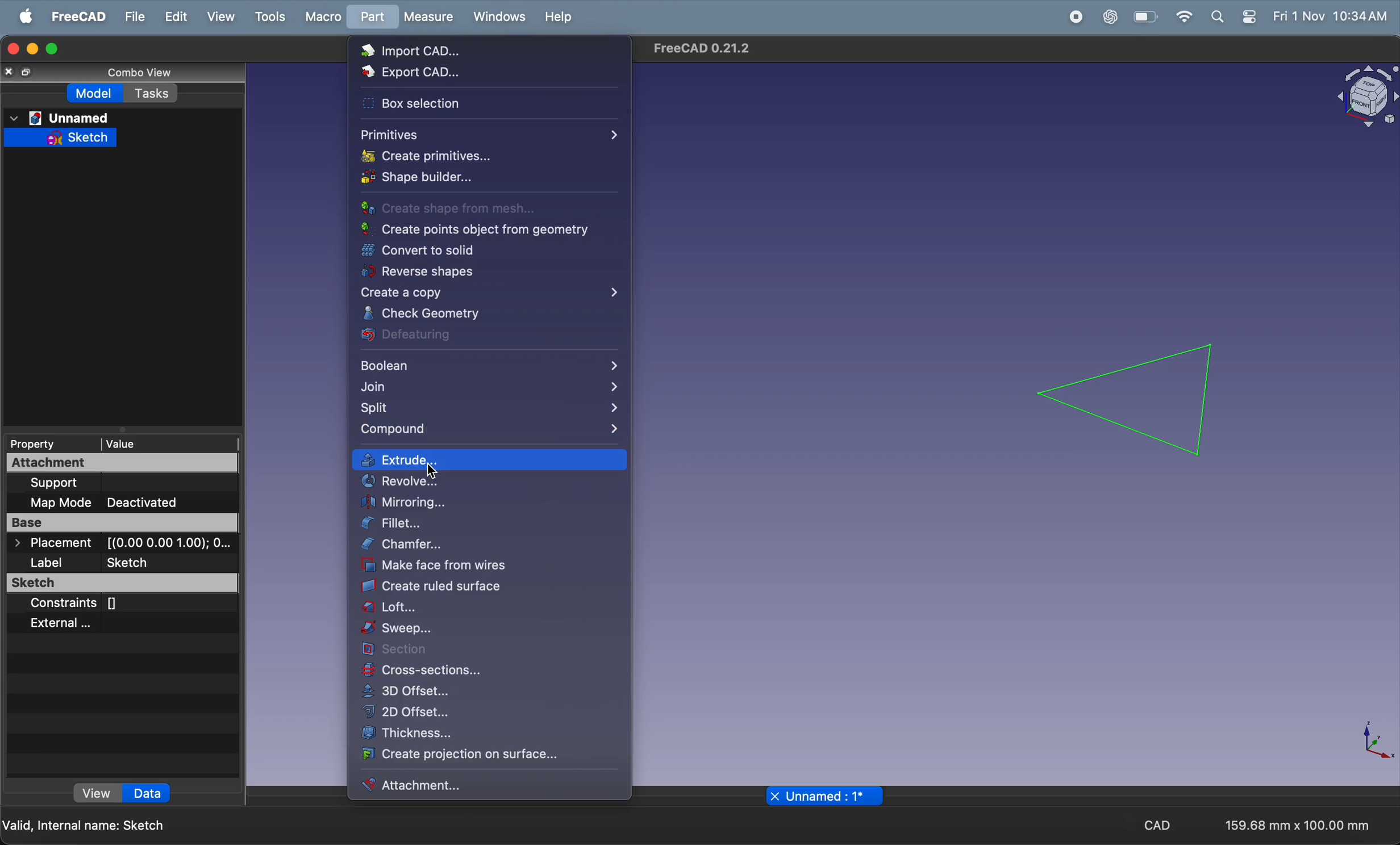  What do you see at coordinates (95, 463) in the screenshot?
I see `attachment` at bounding box center [95, 463].